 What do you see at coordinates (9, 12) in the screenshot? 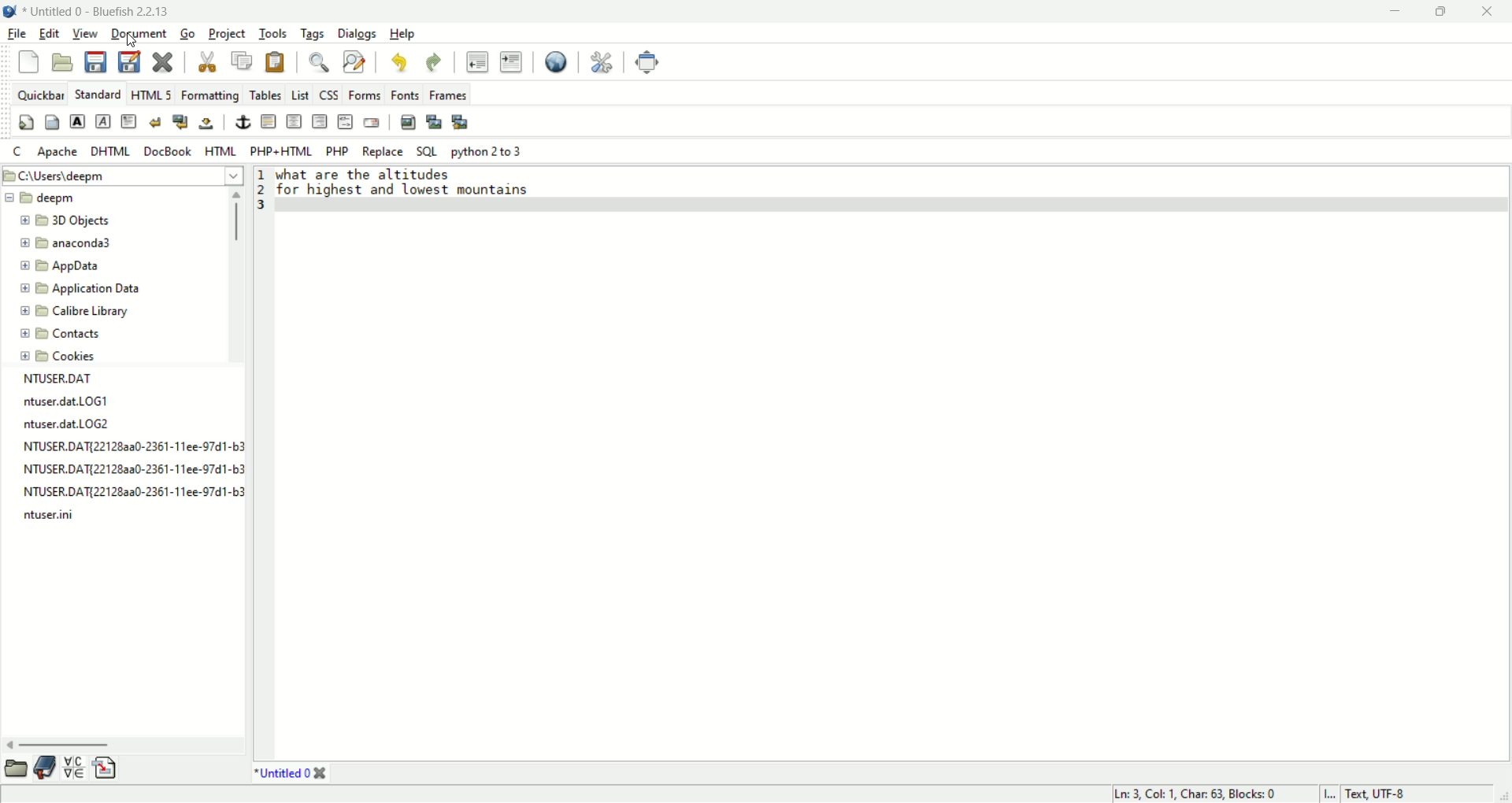
I see `logo` at bounding box center [9, 12].